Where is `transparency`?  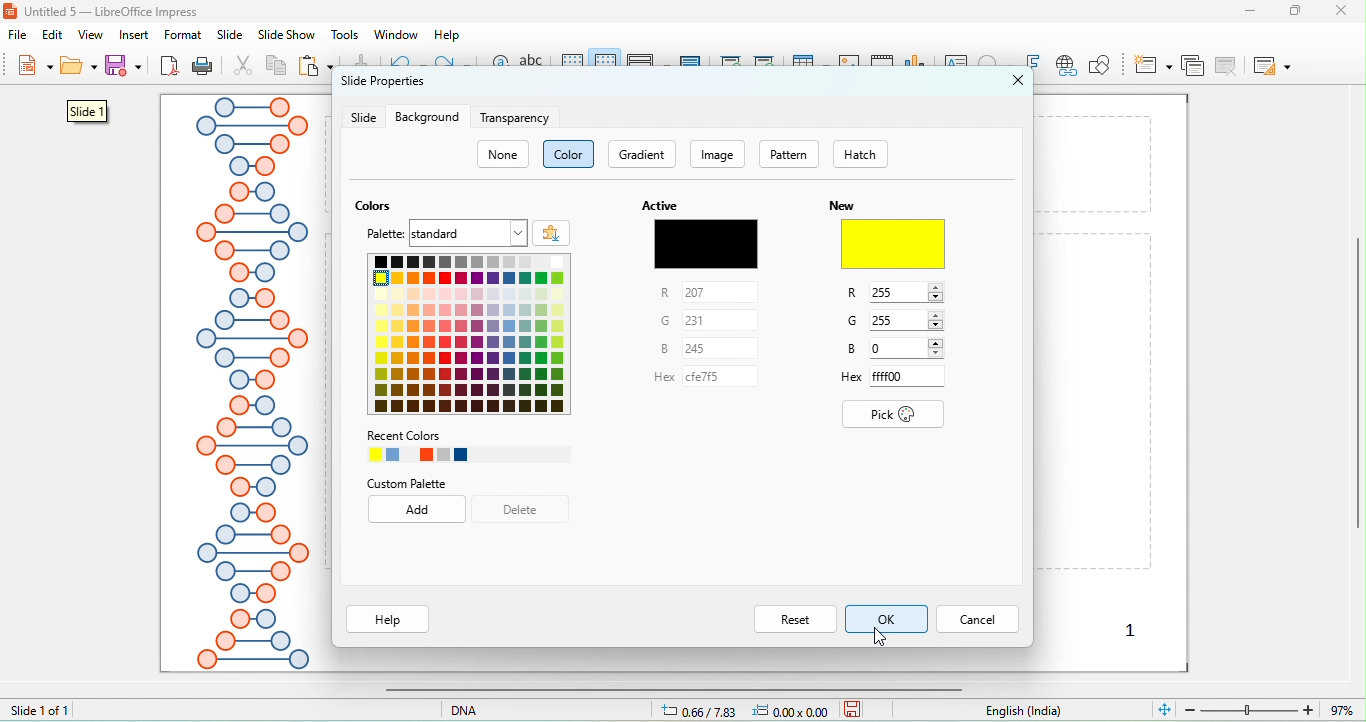 transparency is located at coordinates (517, 118).